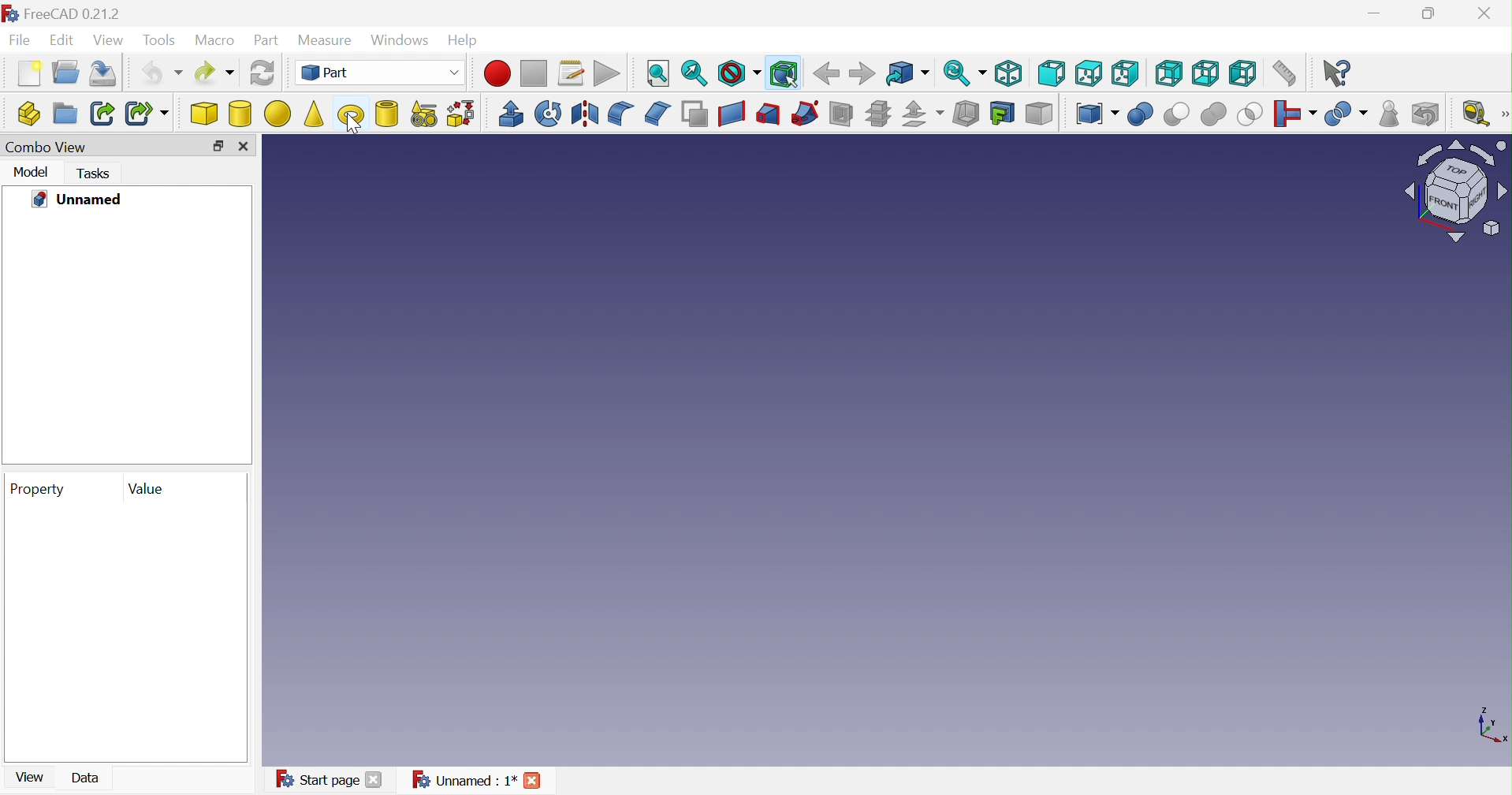 The height and width of the screenshot is (795, 1512). Describe the element at coordinates (621, 113) in the screenshot. I see `Fillet` at that location.